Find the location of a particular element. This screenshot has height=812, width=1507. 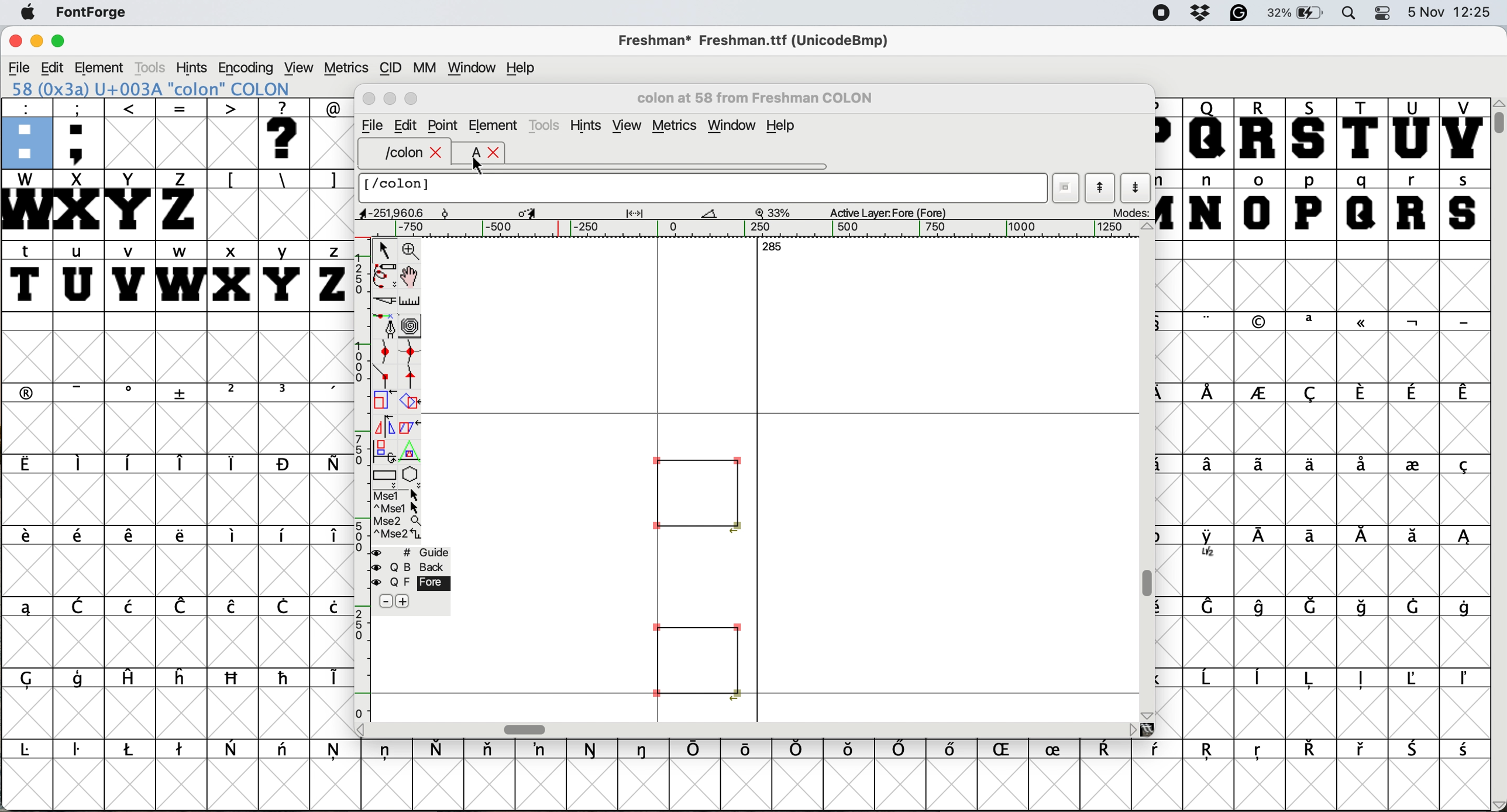

symbol is located at coordinates (851, 751).